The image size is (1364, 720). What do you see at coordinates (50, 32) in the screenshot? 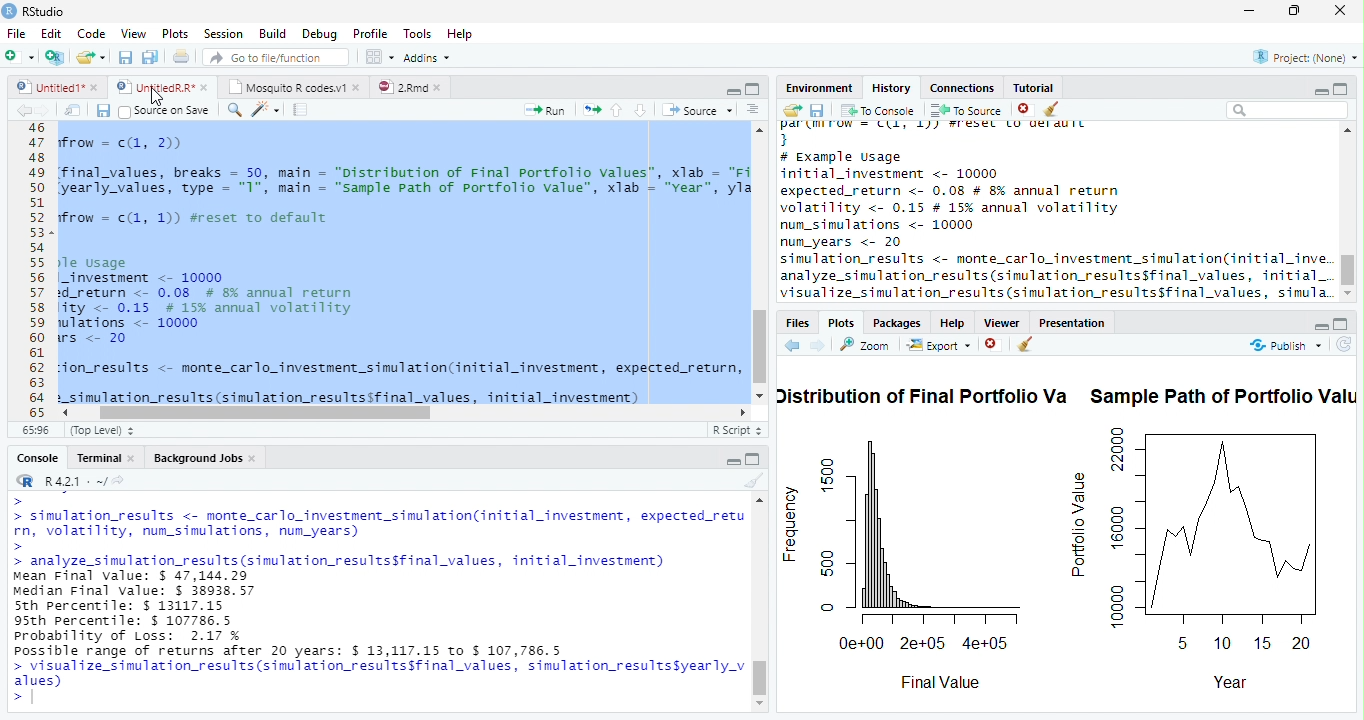
I see `Edit` at bounding box center [50, 32].